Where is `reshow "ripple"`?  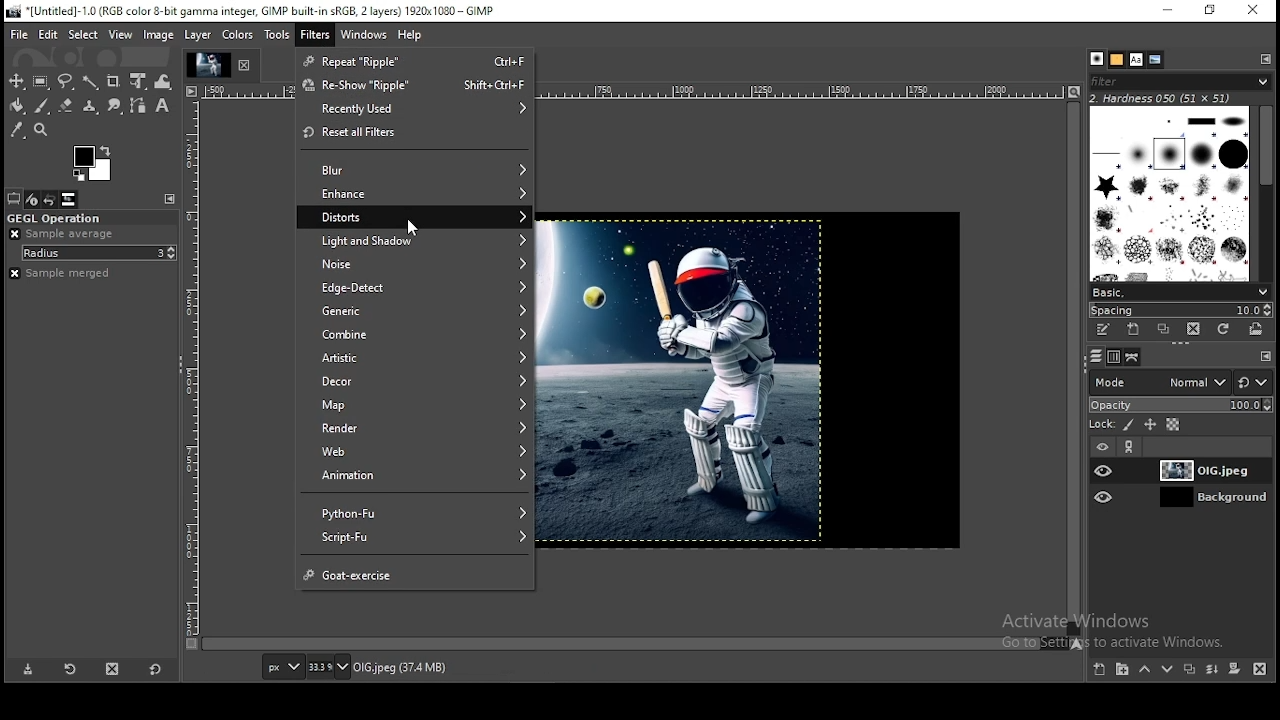
reshow "ripple" is located at coordinates (414, 86).